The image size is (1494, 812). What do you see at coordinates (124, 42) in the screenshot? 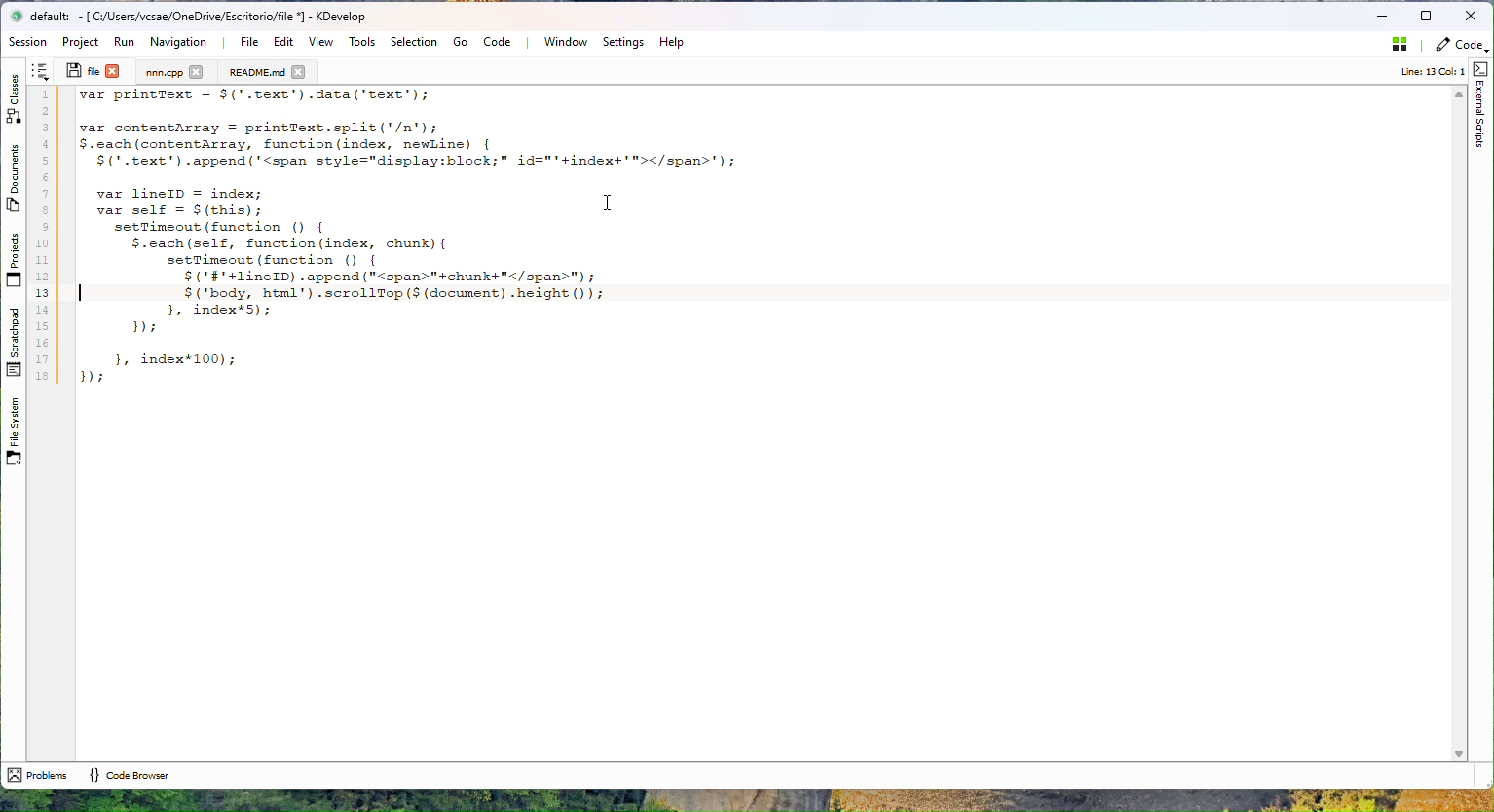
I see `Run` at bounding box center [124, 42].